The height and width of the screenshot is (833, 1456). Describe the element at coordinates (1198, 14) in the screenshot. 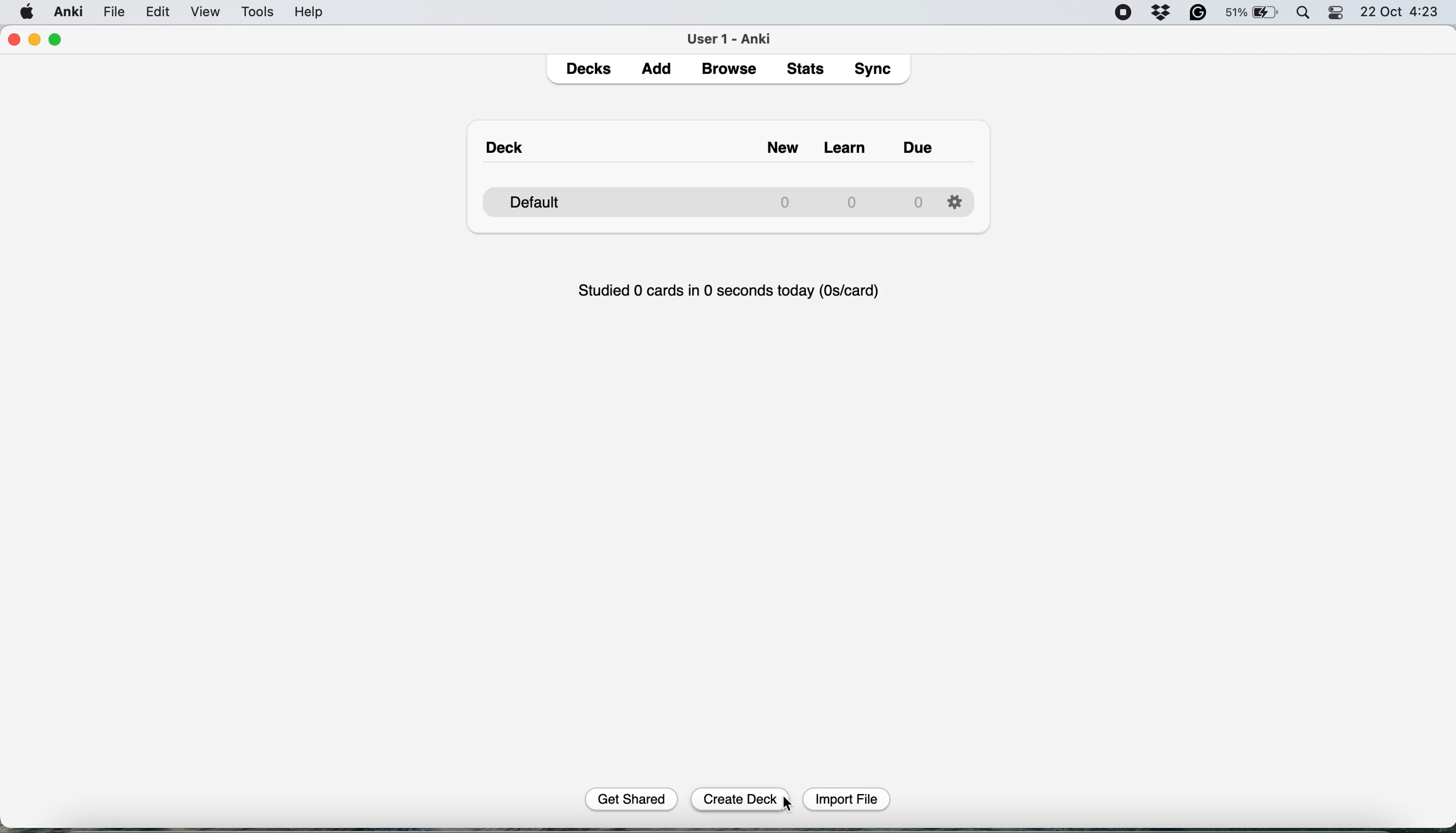

I see `grammarly` at that location.